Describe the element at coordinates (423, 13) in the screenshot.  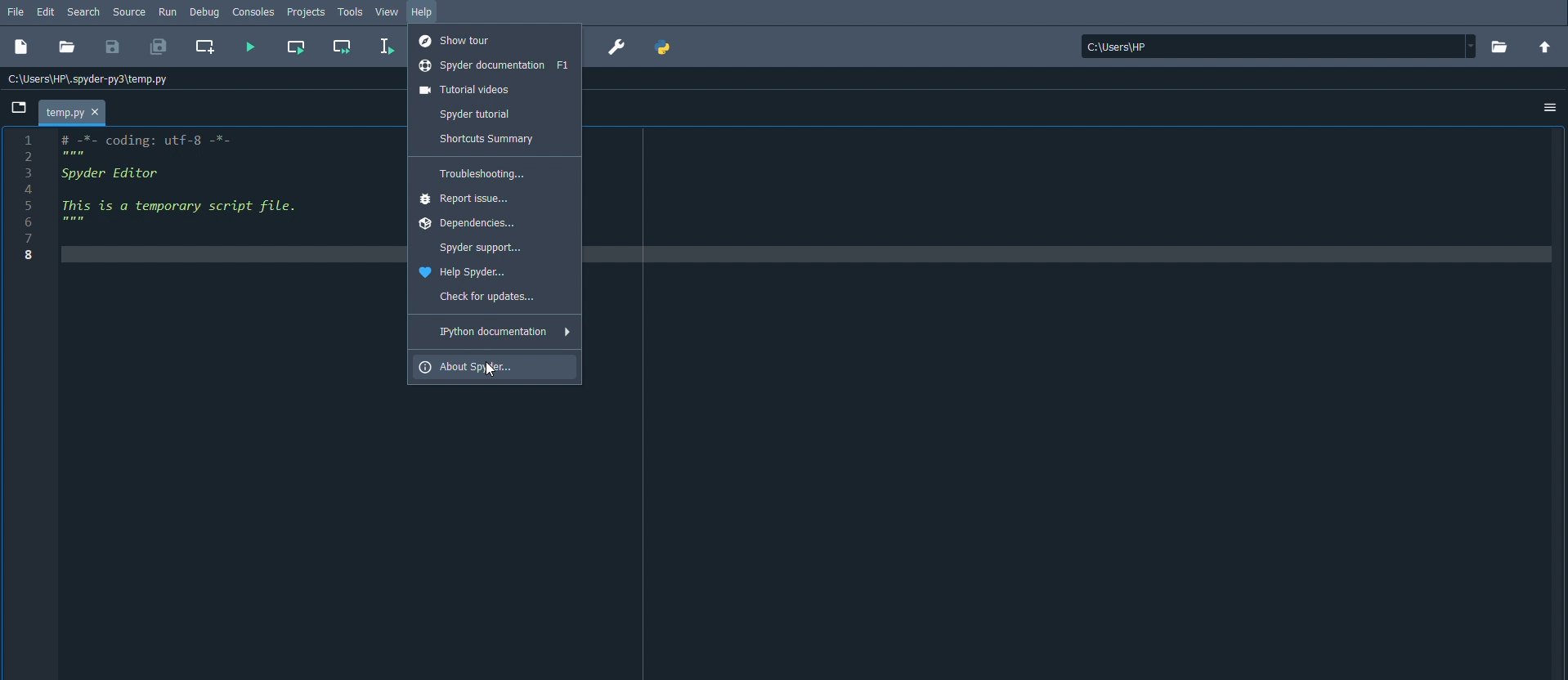
I see `Help` at that location.